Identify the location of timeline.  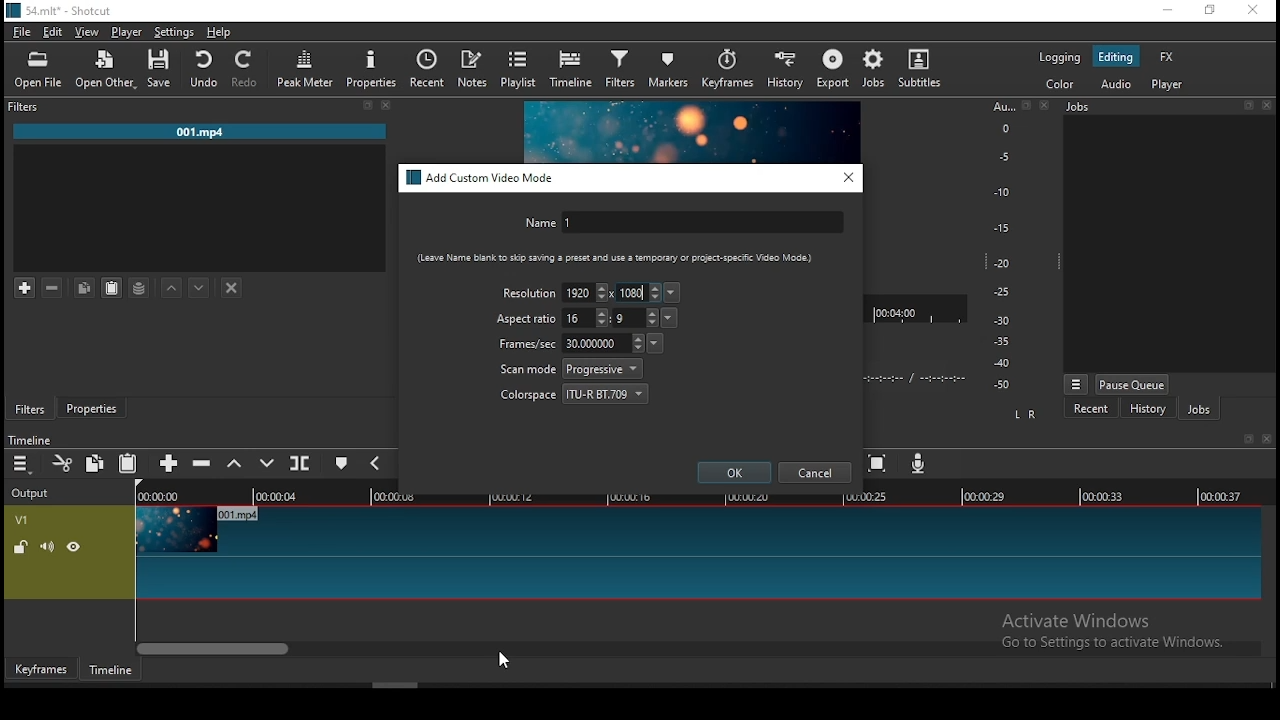
(29, 440).